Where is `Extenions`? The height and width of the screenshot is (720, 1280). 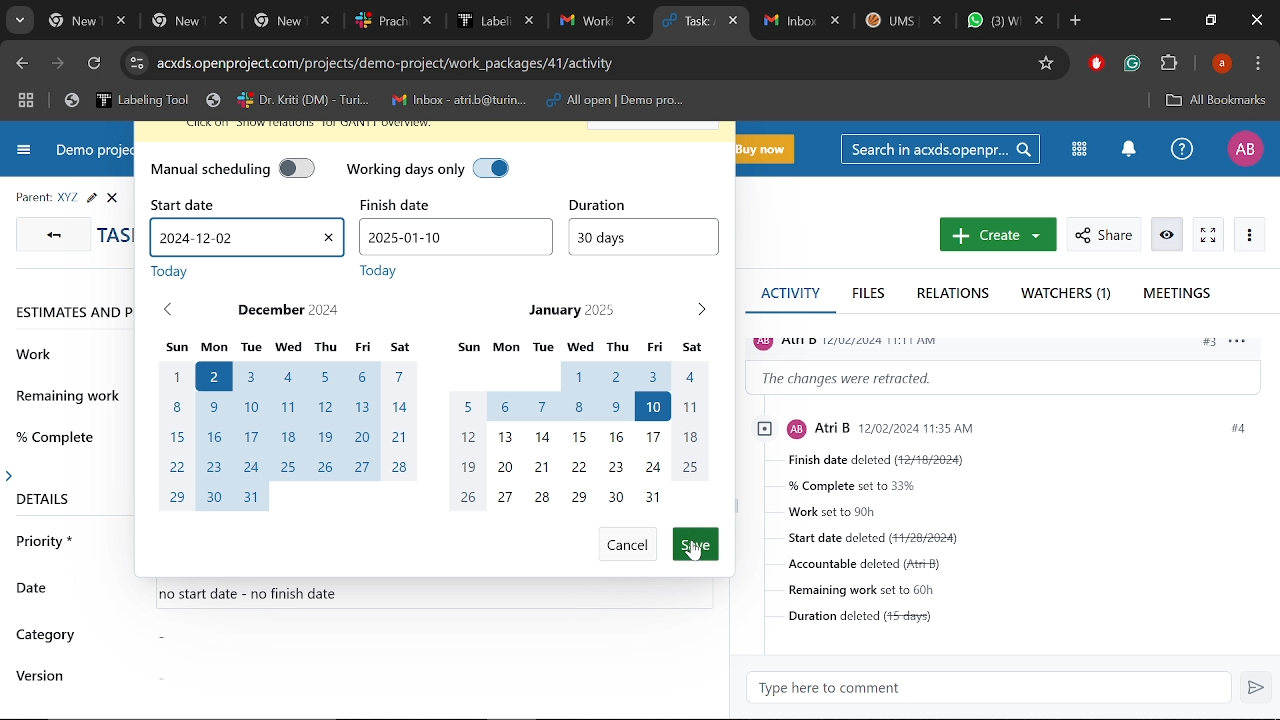 Extenions is located at coordinates (1169, 65).